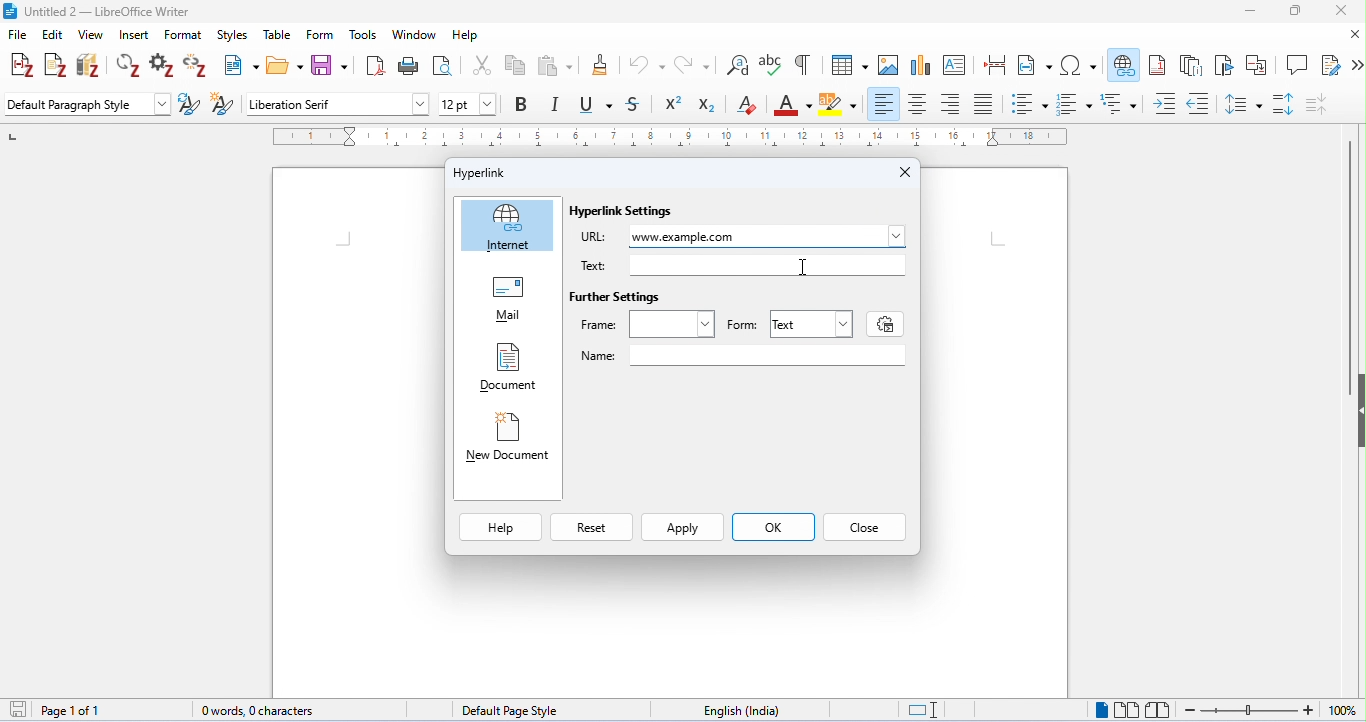 This screenshot has width=1366, height=722. I want to click on Name, so click(598, 355).